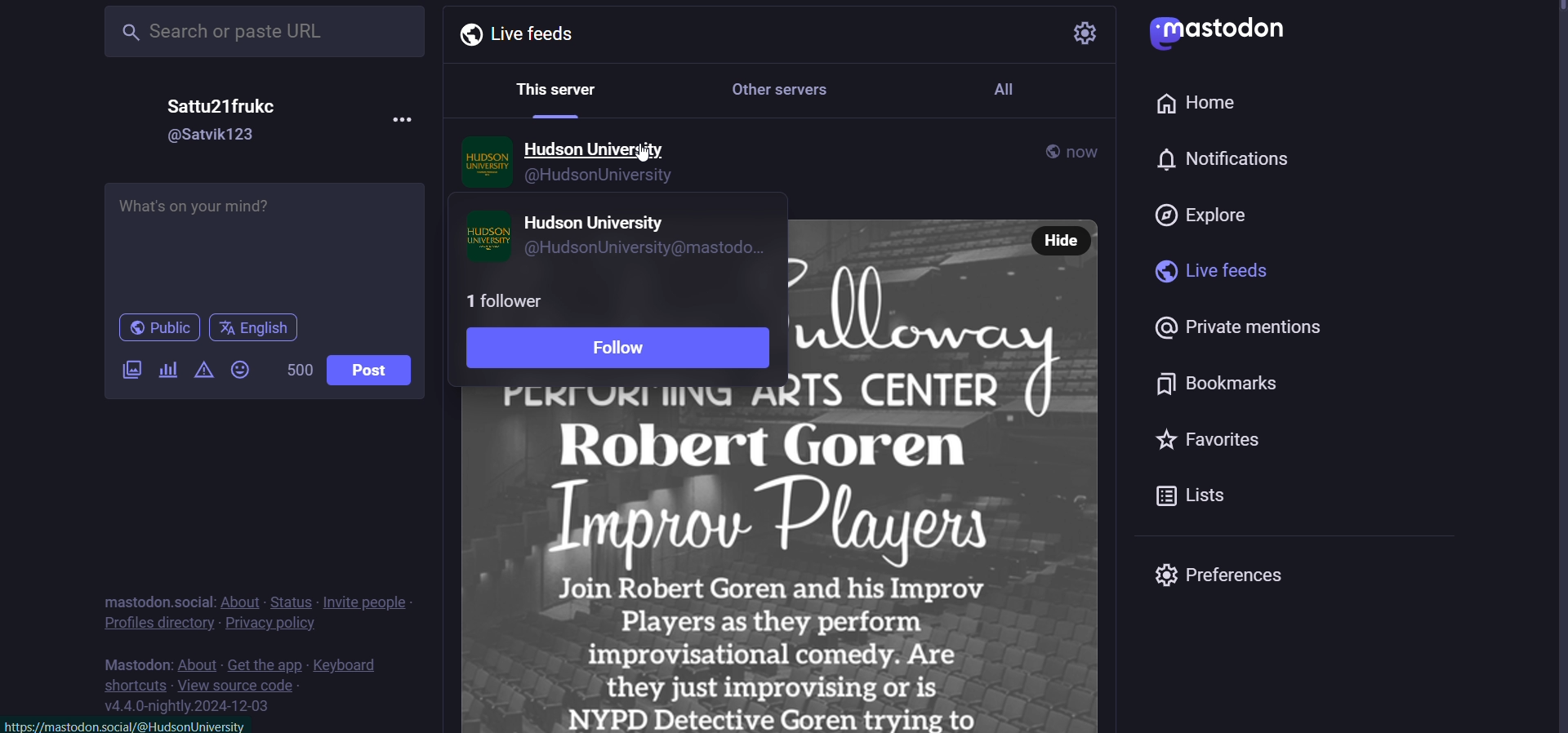  I want to click on shortcuts, so click(134, 684).